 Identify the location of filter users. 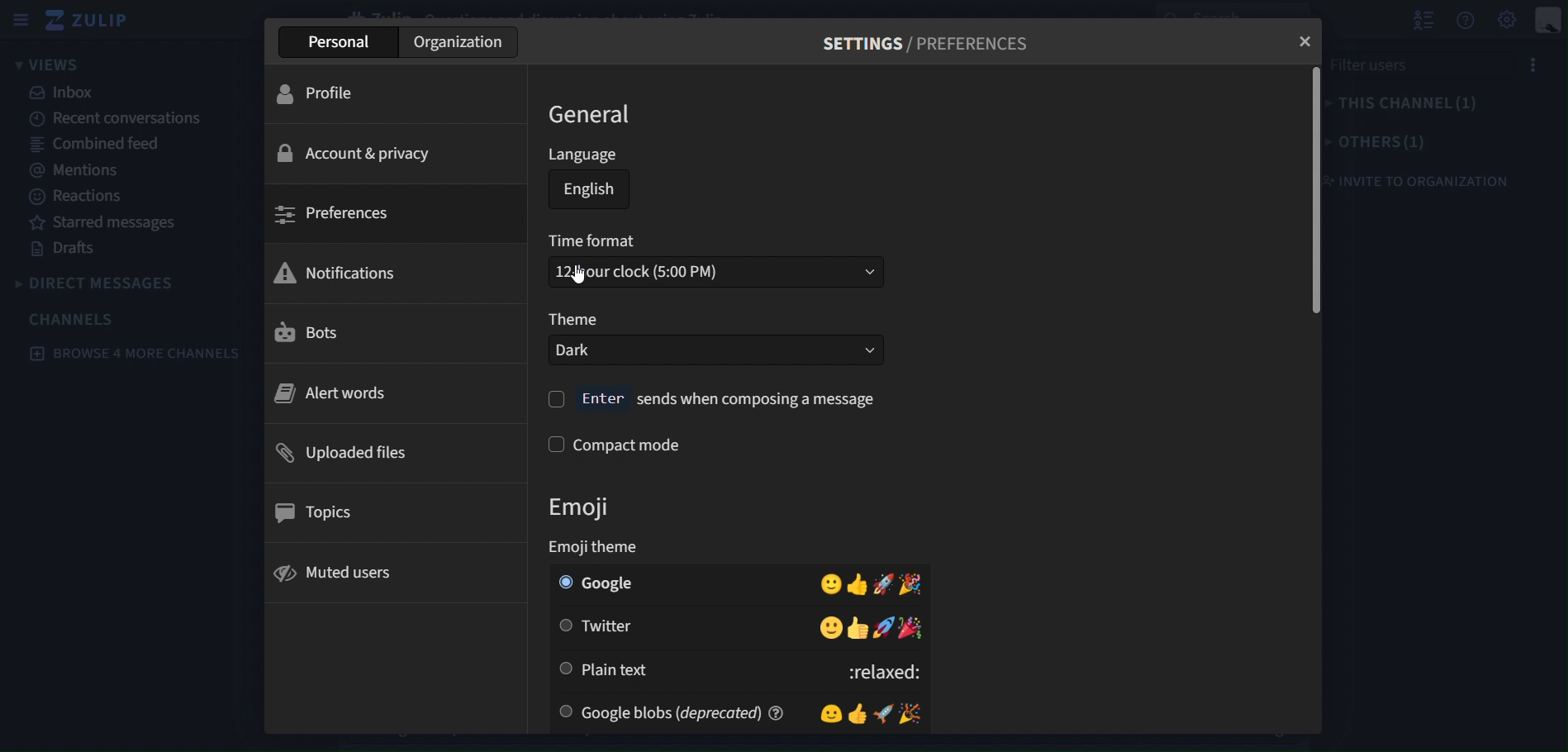
(1374, 67).